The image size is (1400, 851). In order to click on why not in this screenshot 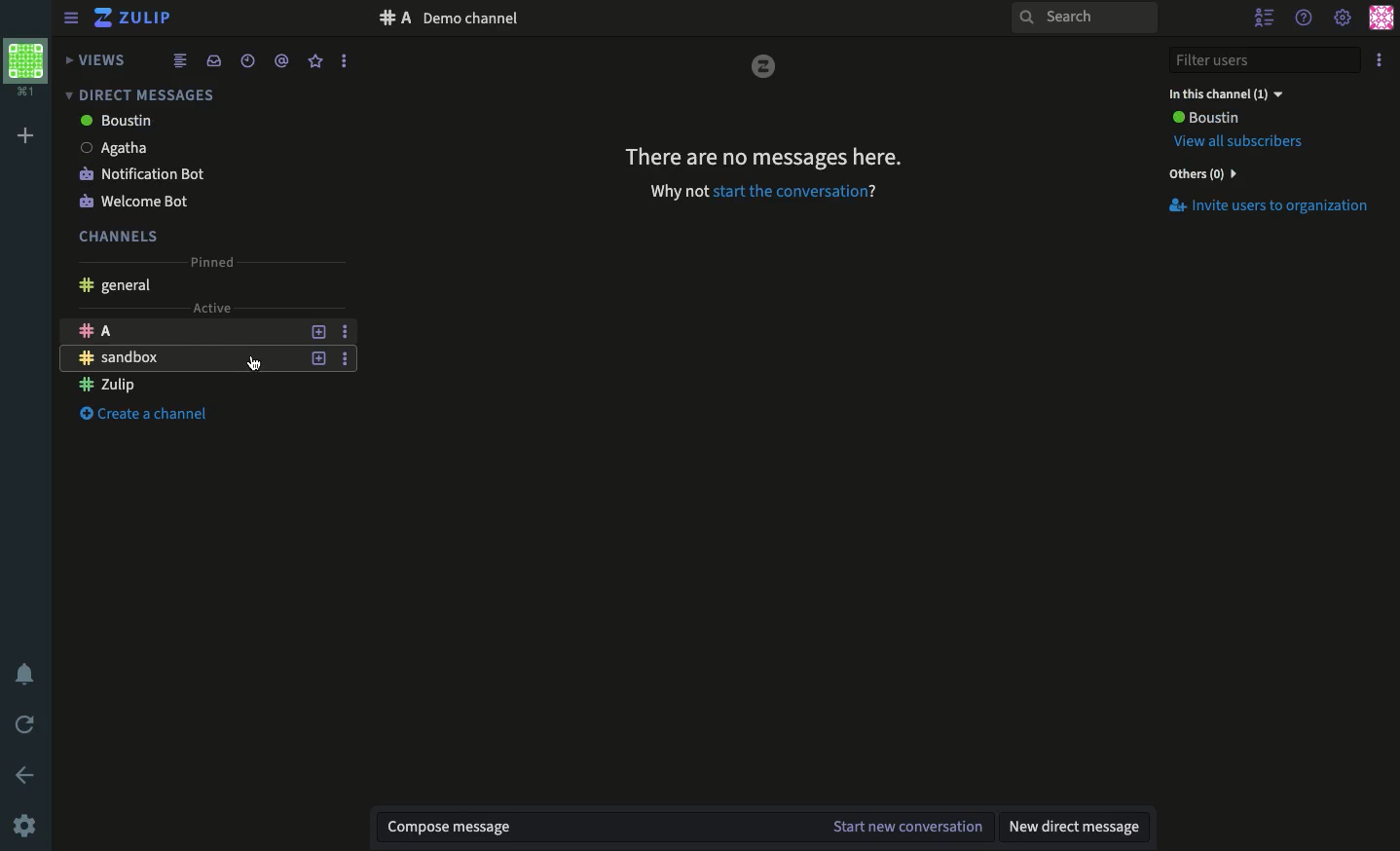, I will do `click(680, 194)`.